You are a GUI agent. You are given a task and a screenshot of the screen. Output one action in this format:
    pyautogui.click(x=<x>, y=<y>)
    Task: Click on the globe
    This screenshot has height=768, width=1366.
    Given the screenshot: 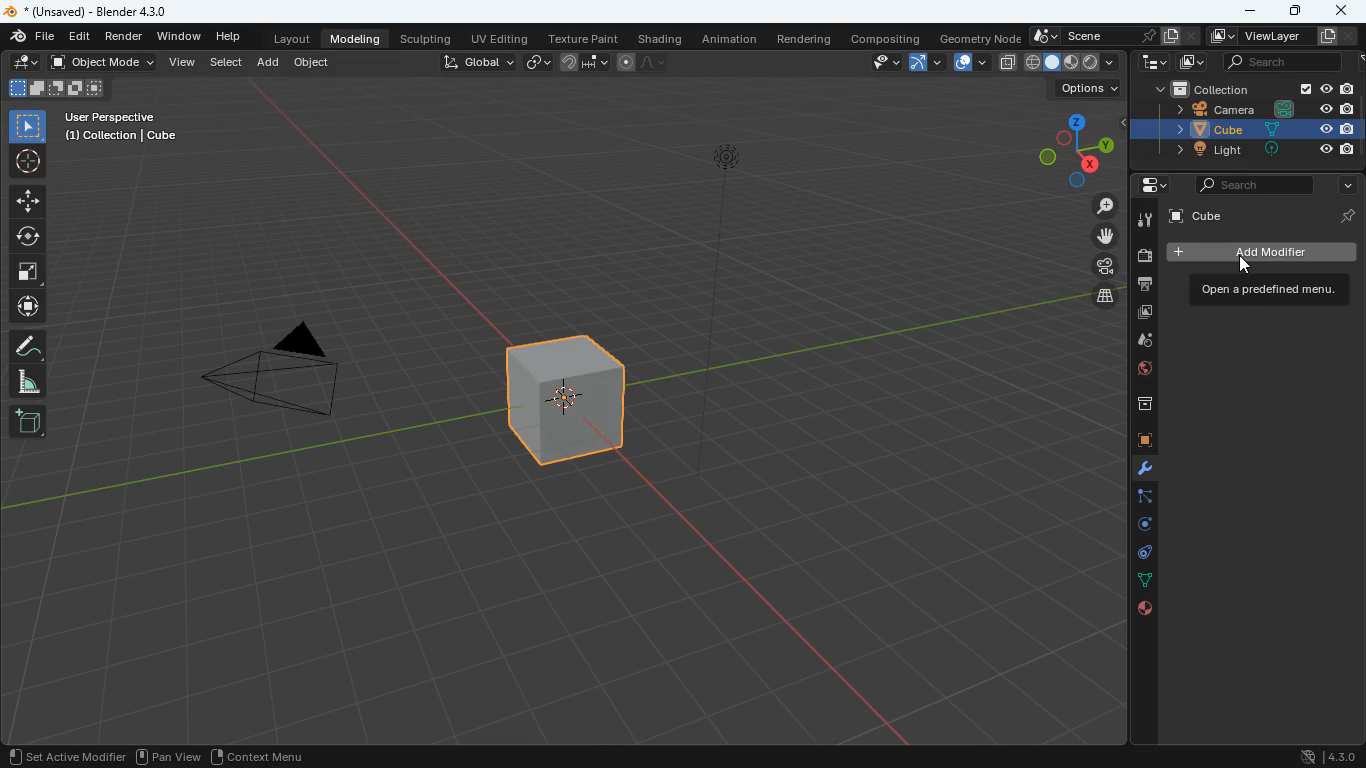 What is the action you would take?
    pyautogui.click(x=1135, y=372)
    